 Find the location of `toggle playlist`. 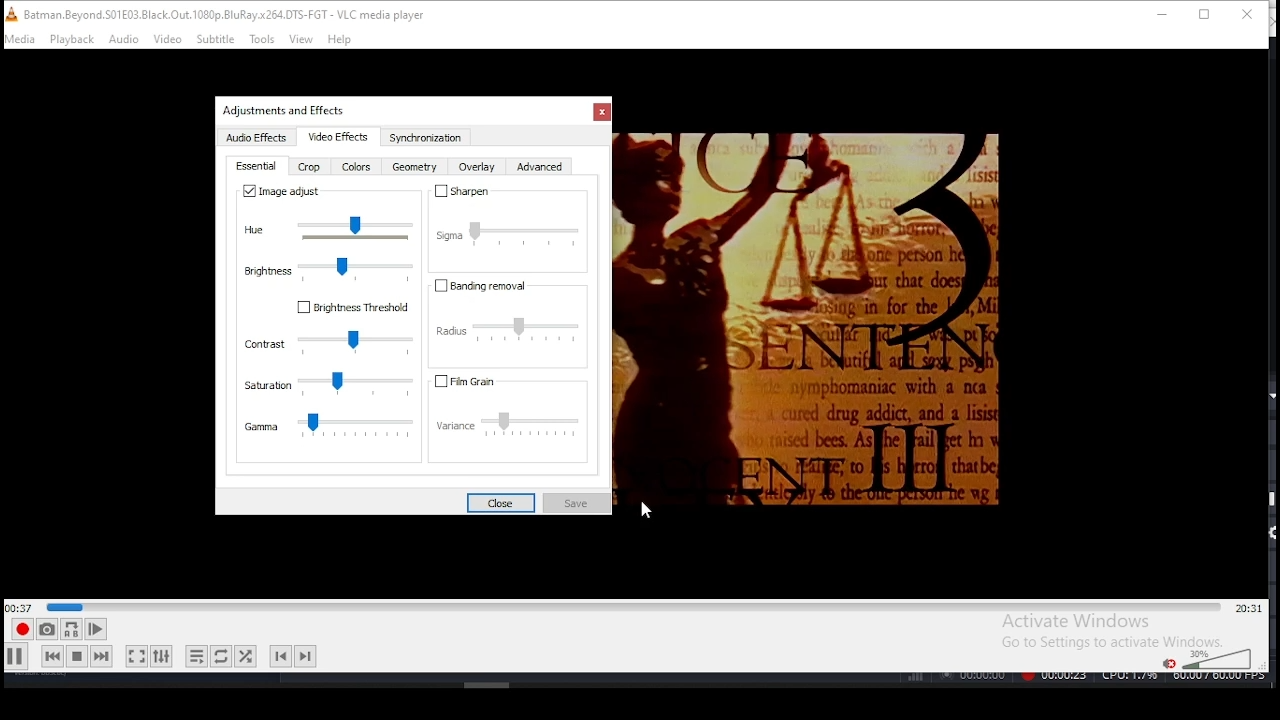

toggle playlist is located at coordinates (196, 654).